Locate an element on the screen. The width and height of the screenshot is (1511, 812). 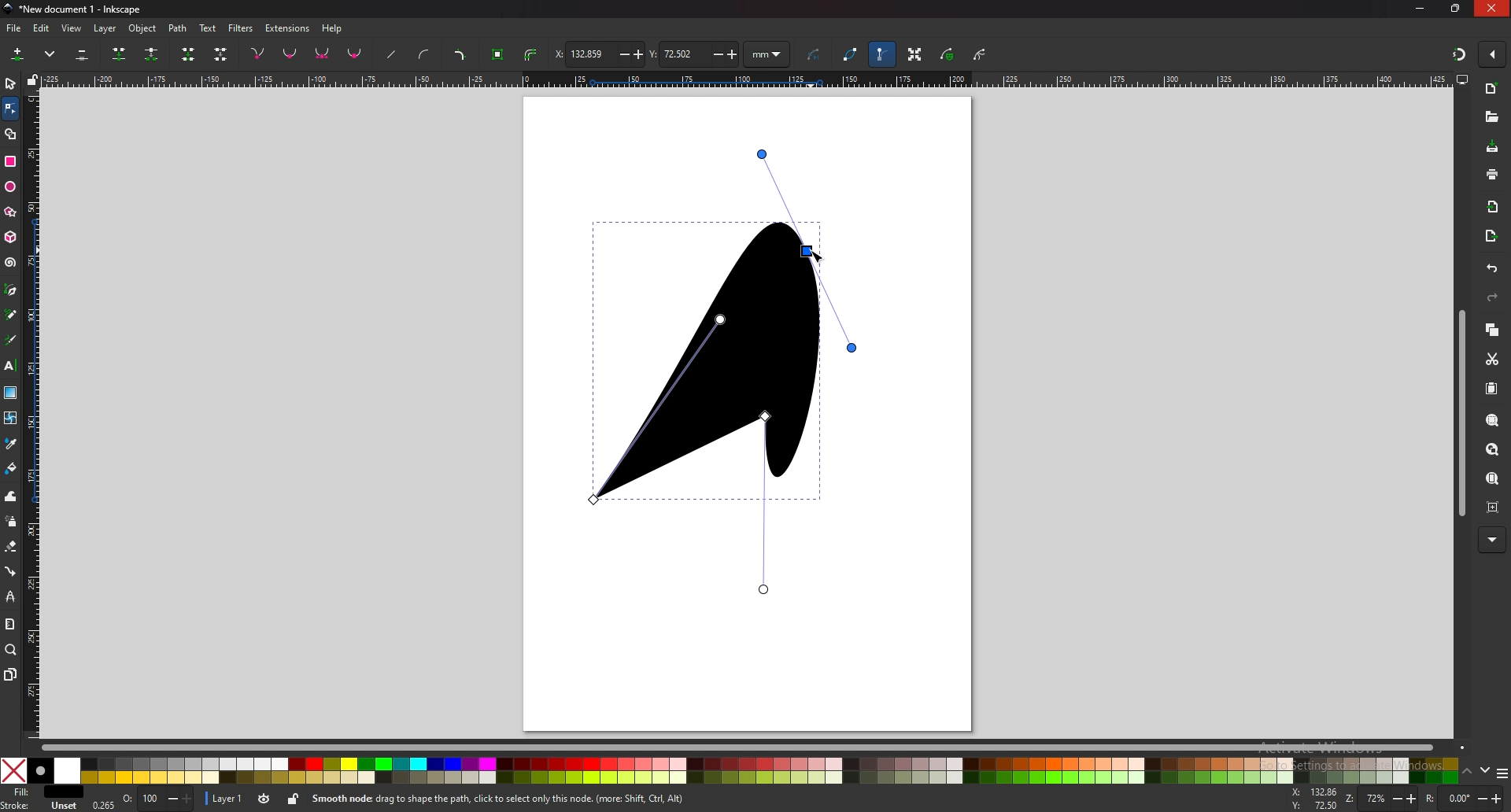
tweak is located at coordinates (10, 496).